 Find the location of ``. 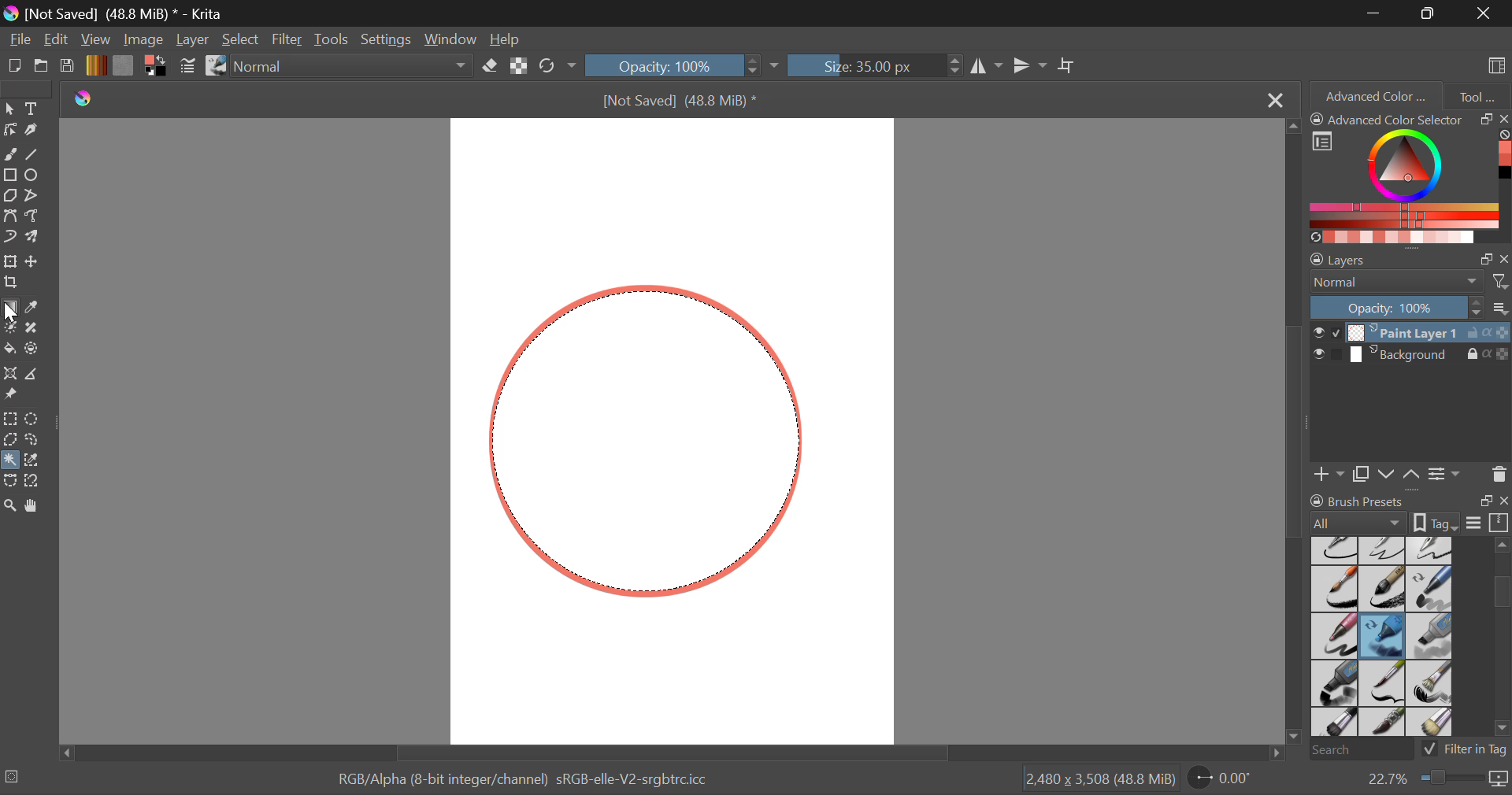

 is located at coordinates (57, 41).